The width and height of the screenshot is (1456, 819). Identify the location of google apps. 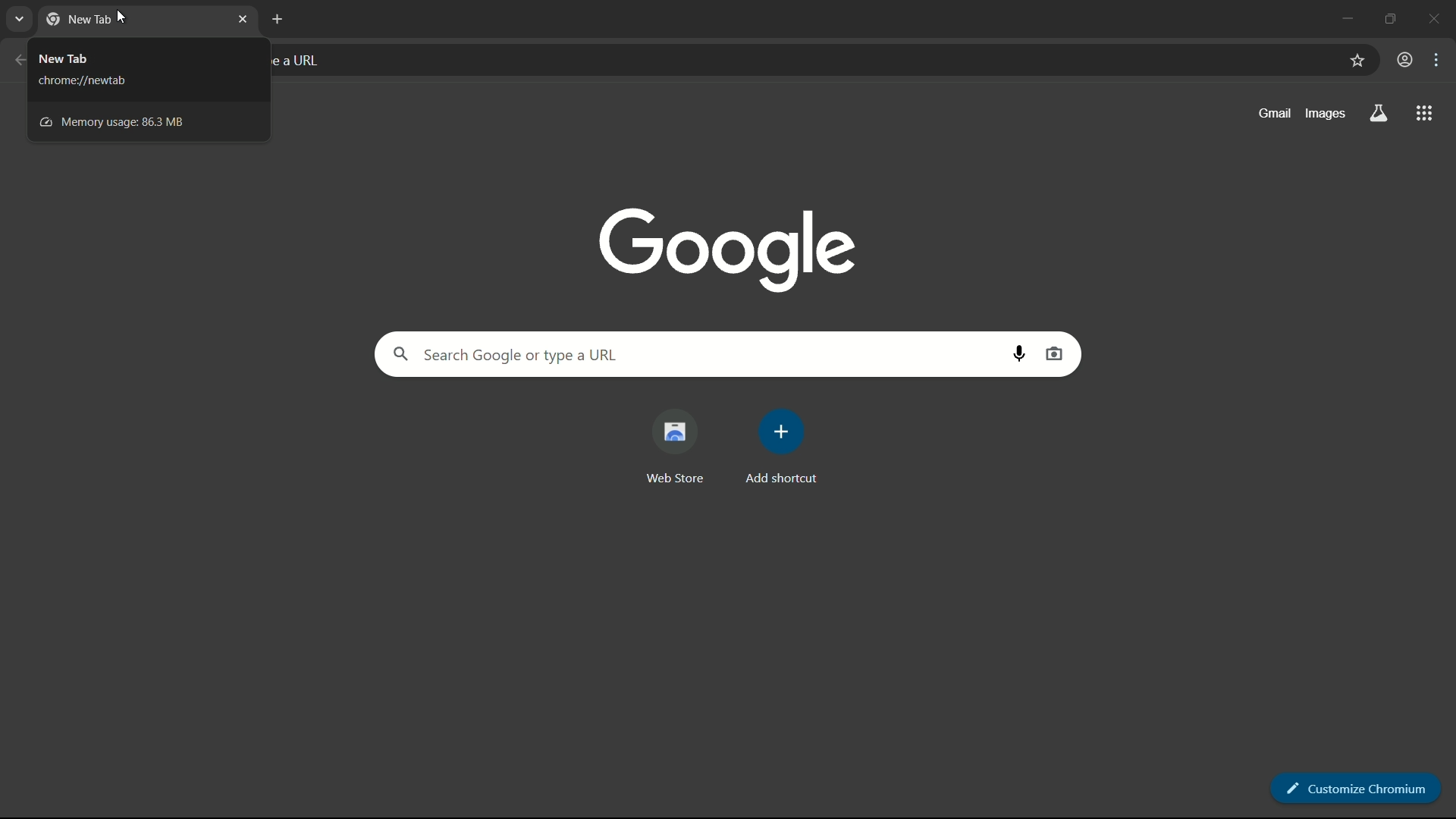
(1425, 113).